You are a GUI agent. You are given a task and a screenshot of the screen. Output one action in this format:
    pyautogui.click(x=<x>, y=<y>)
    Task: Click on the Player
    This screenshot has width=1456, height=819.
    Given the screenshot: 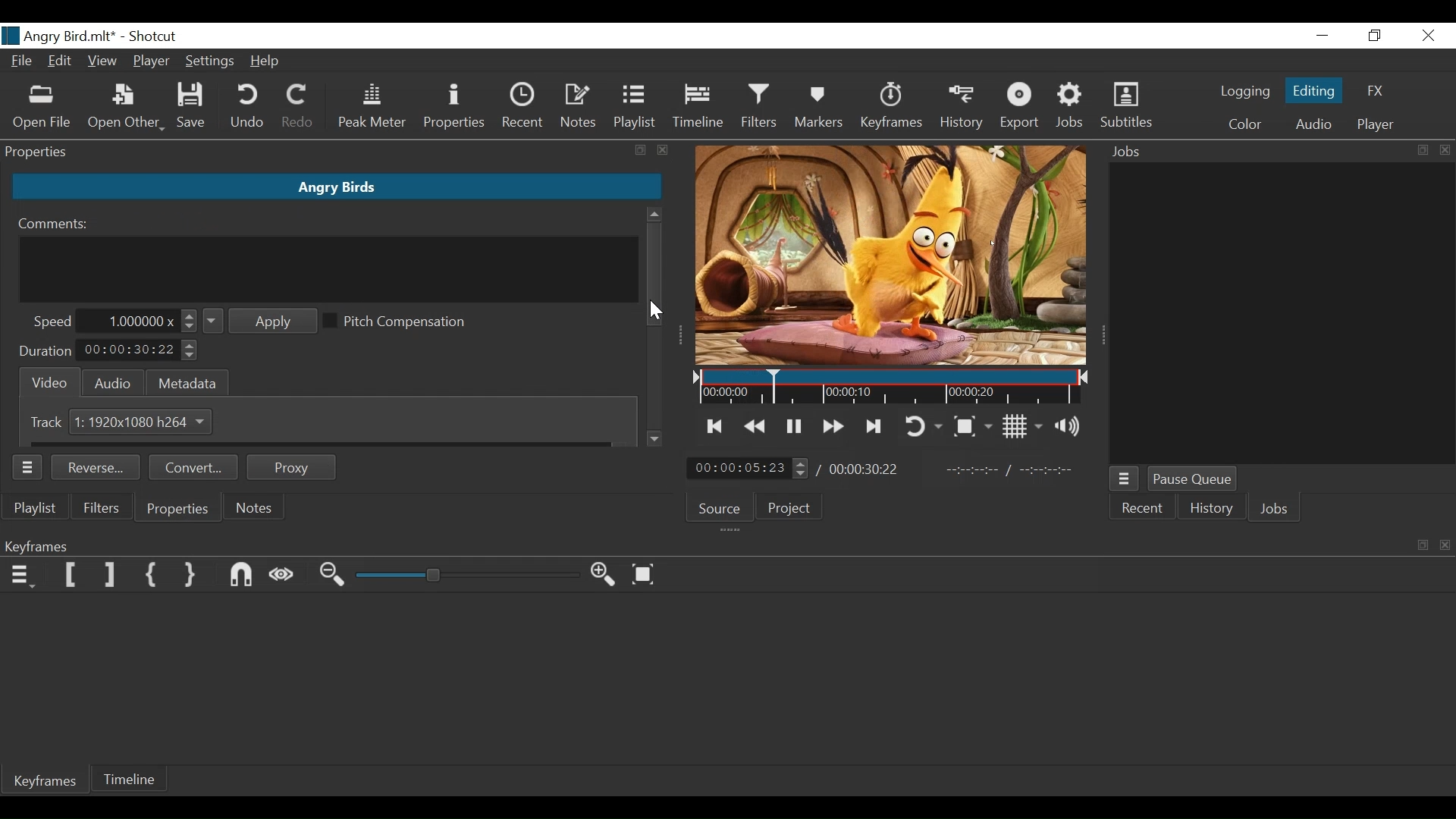 What is the action you would take?
    pyautogui.click(x=151, y=61)
    